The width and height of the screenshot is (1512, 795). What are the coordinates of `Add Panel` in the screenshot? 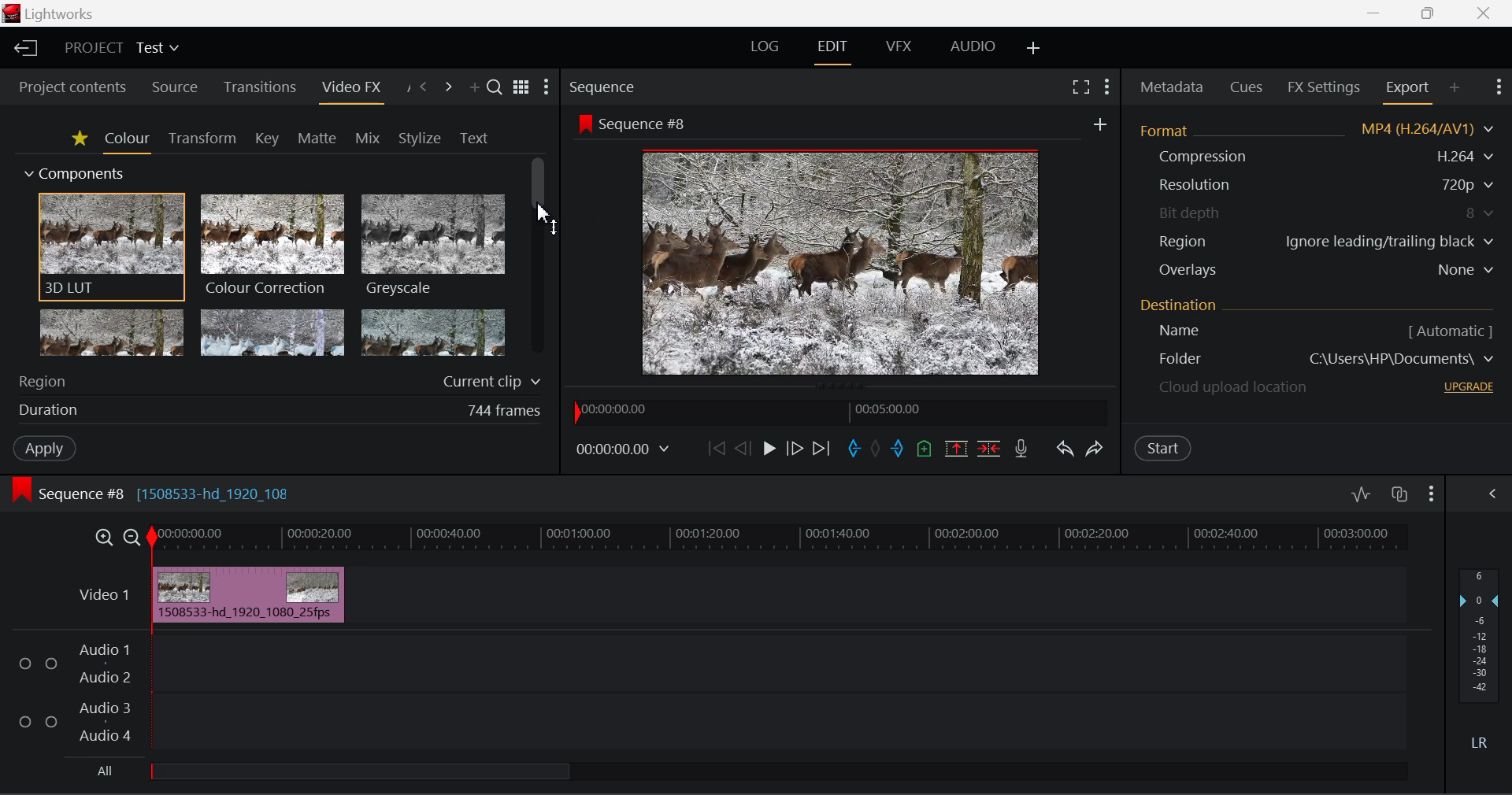 It's located at (1454, 92).